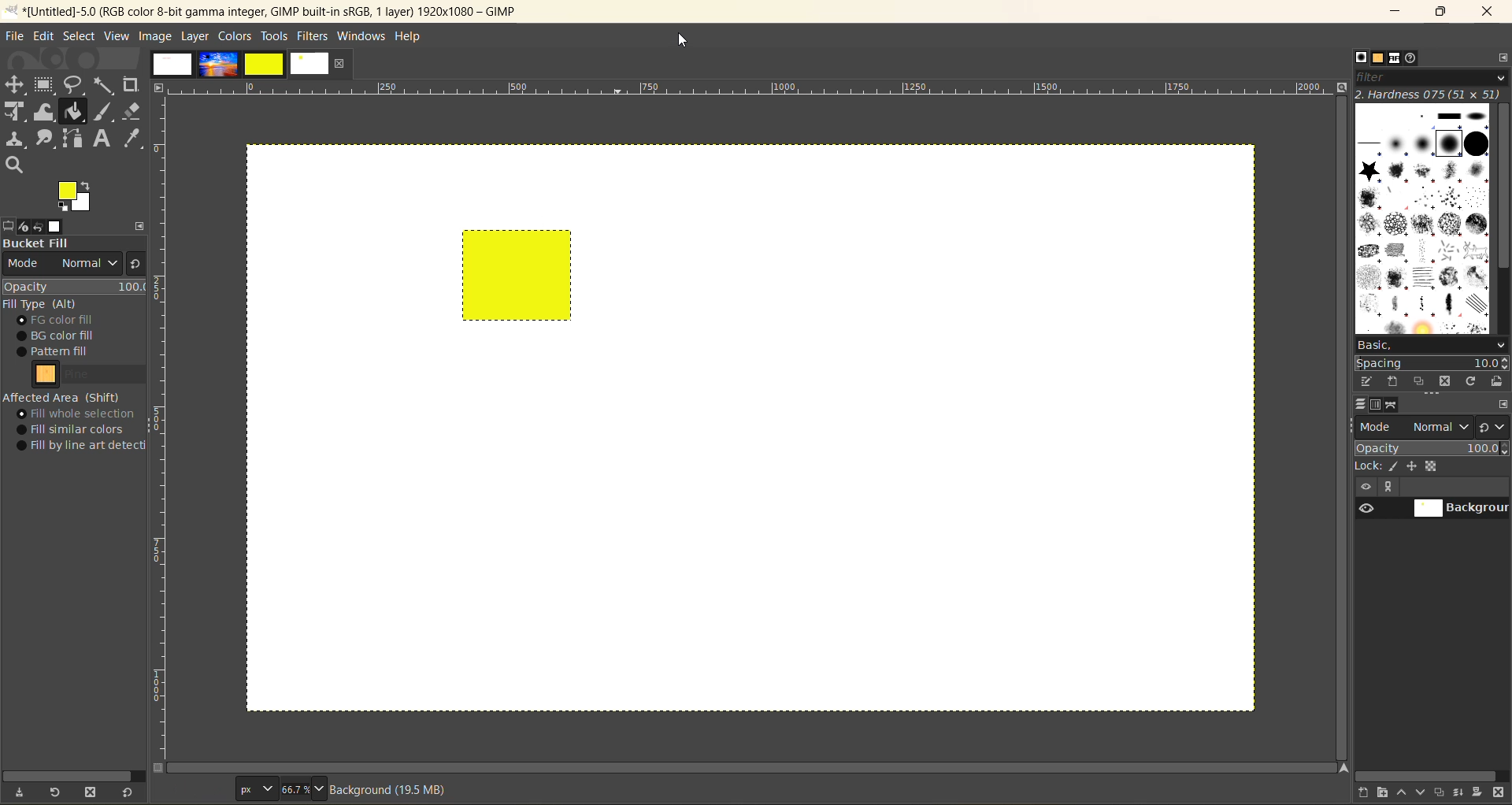 The image size is (1512, 805). Describe the element at coordinates (57, 793) in the screenshot. I see `restore tool preset` at that location.